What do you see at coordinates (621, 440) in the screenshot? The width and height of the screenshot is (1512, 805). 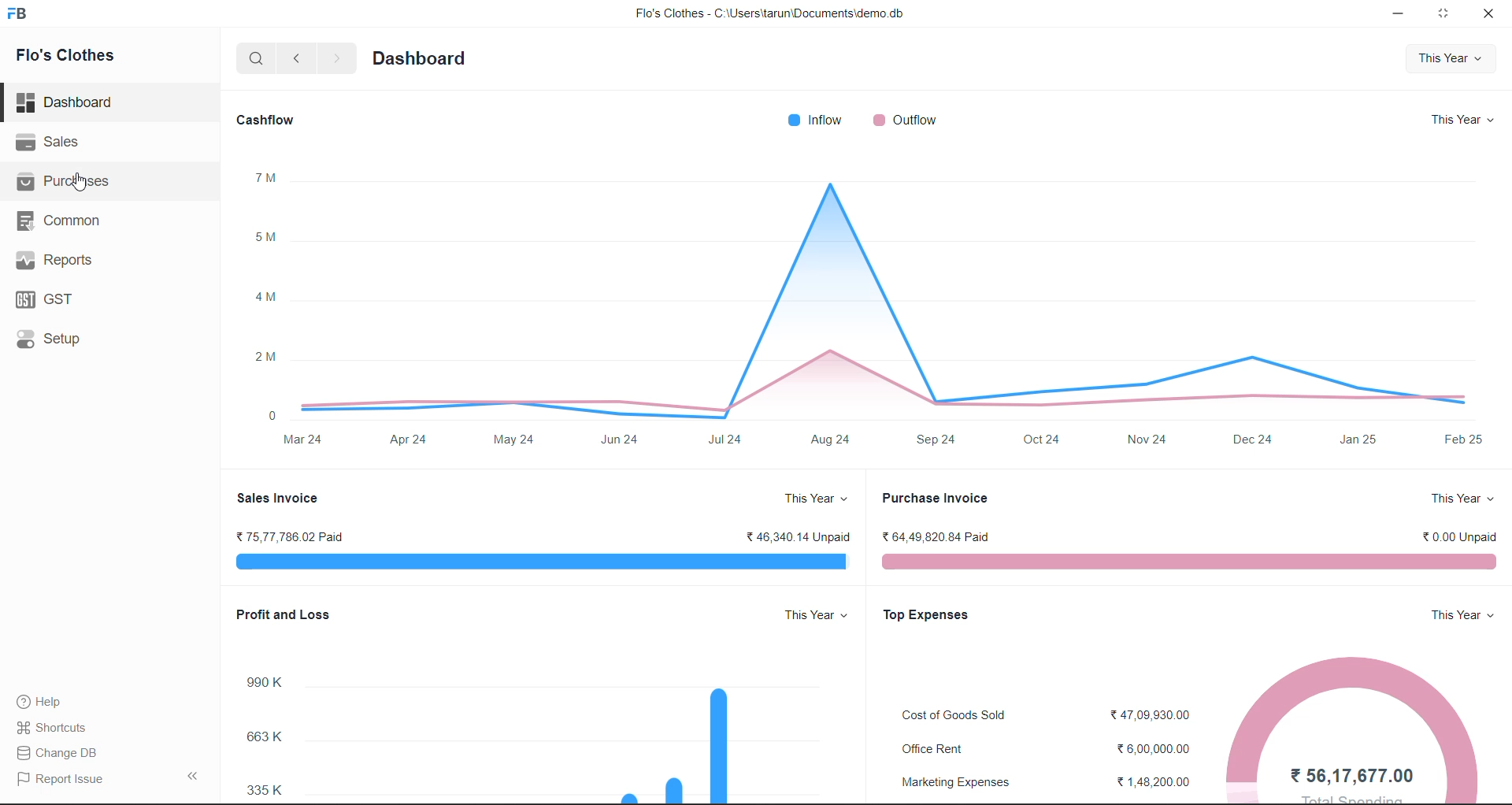 I see `Jun 24` at bounding box center [621, 440].